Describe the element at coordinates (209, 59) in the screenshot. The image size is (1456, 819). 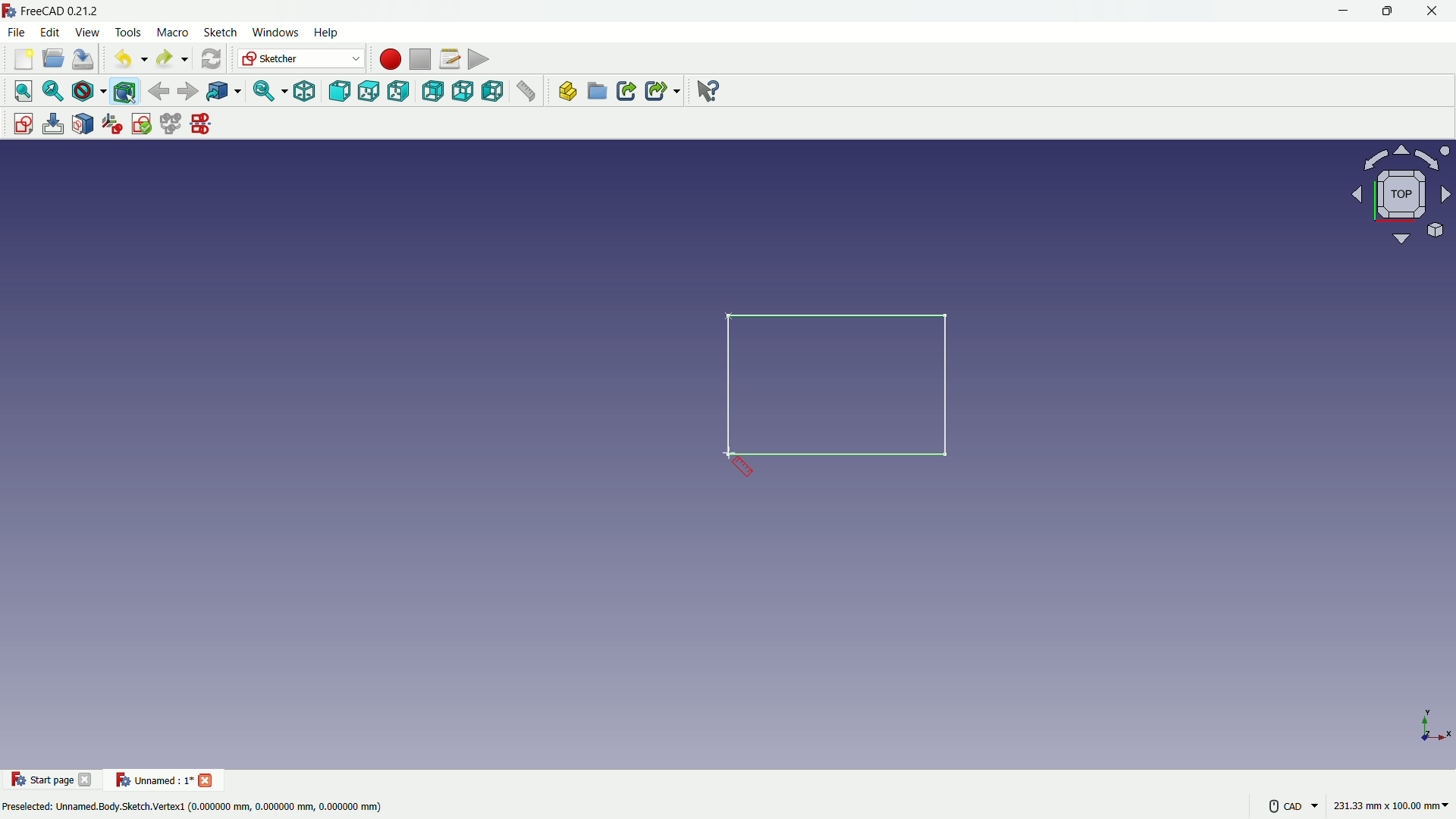
I see `refresh` at that location.